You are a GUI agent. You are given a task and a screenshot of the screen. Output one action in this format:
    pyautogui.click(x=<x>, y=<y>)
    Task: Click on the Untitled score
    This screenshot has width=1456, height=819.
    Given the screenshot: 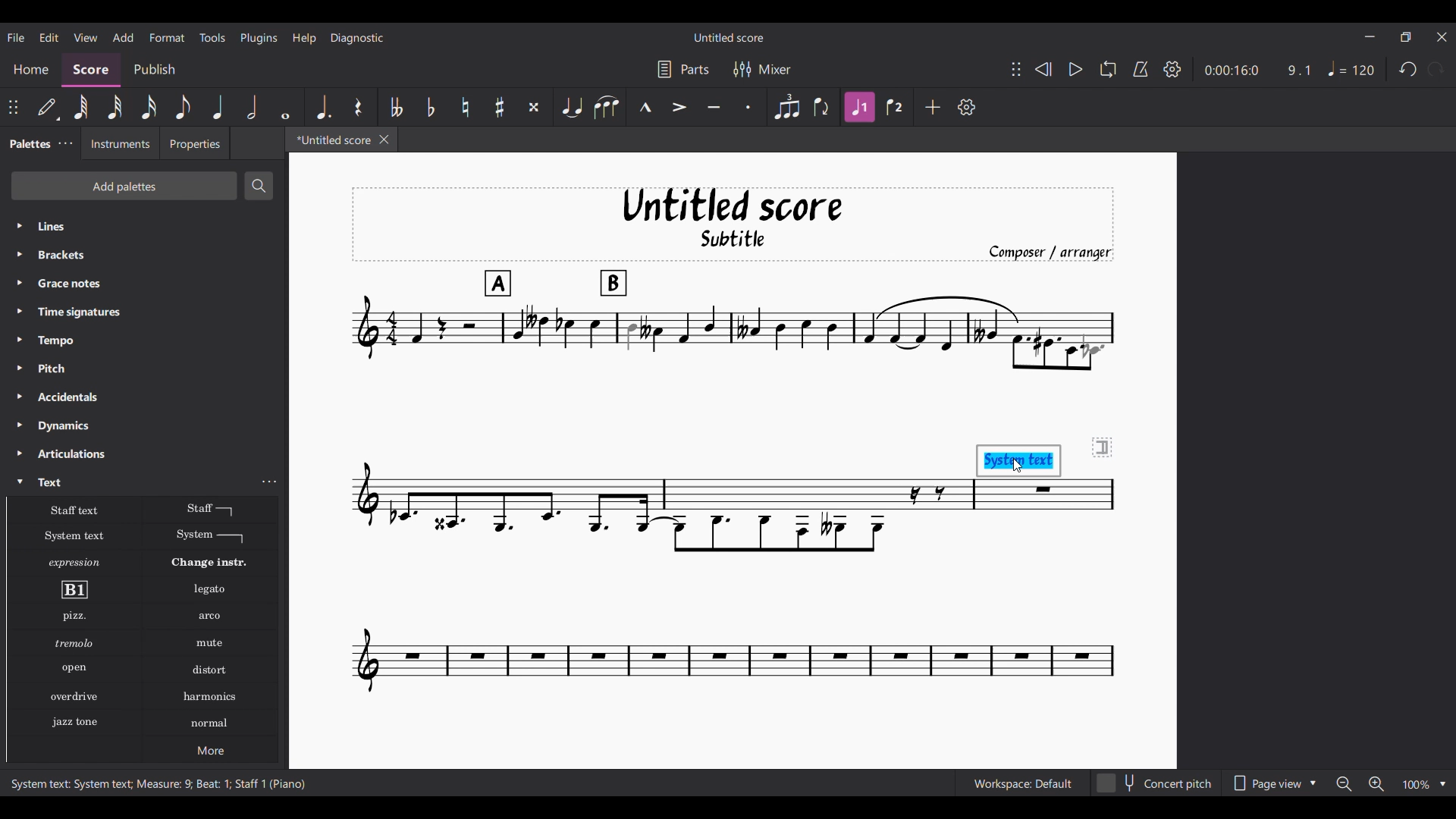 What is the action you would take?
    pyautogui.click(x=729, y=38)
    